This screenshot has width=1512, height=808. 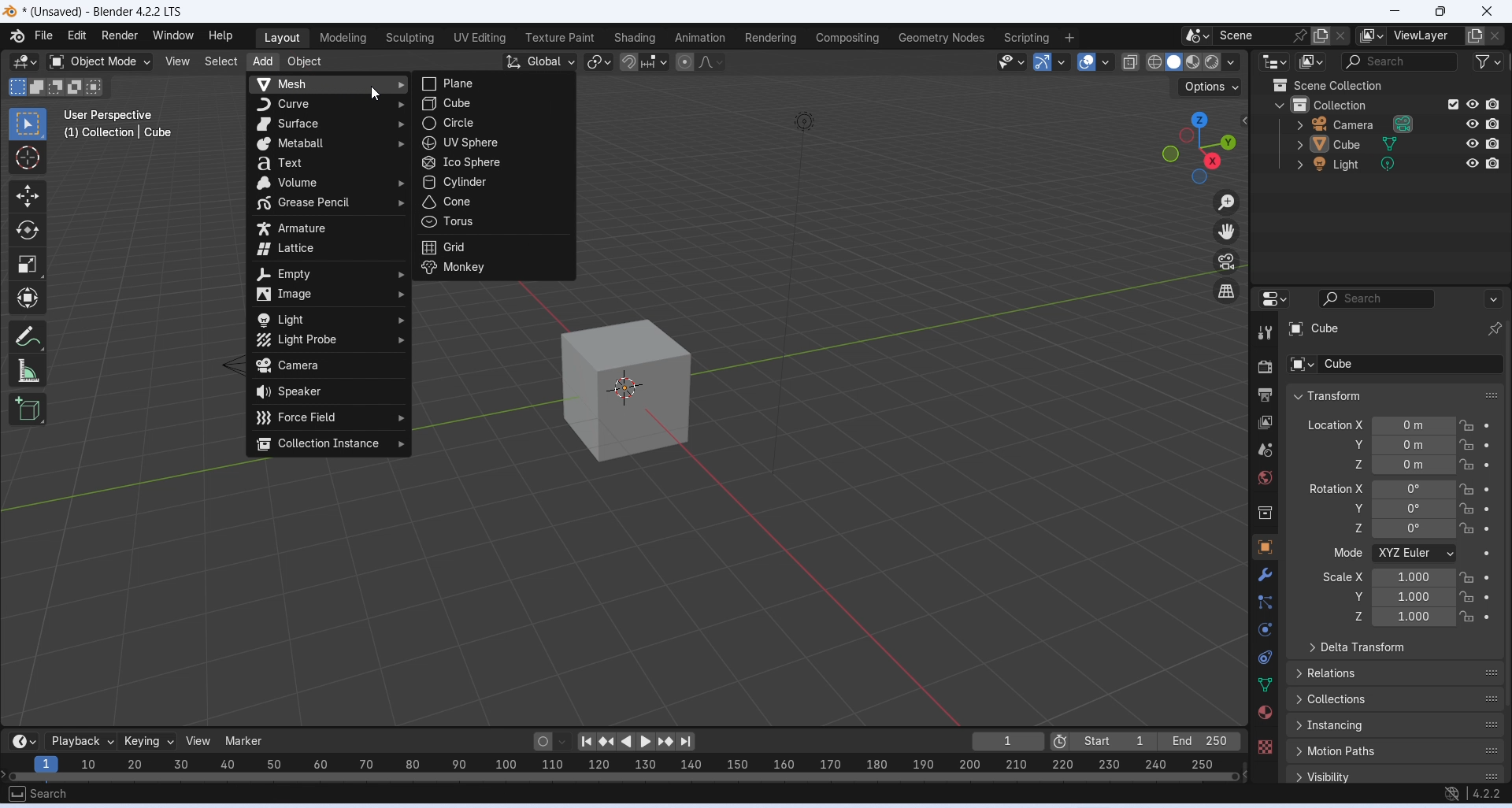 What do you see at coordinates (1493, 162) in the screenshot?
I see `disable in renders` at bounding box center [1493, 162].